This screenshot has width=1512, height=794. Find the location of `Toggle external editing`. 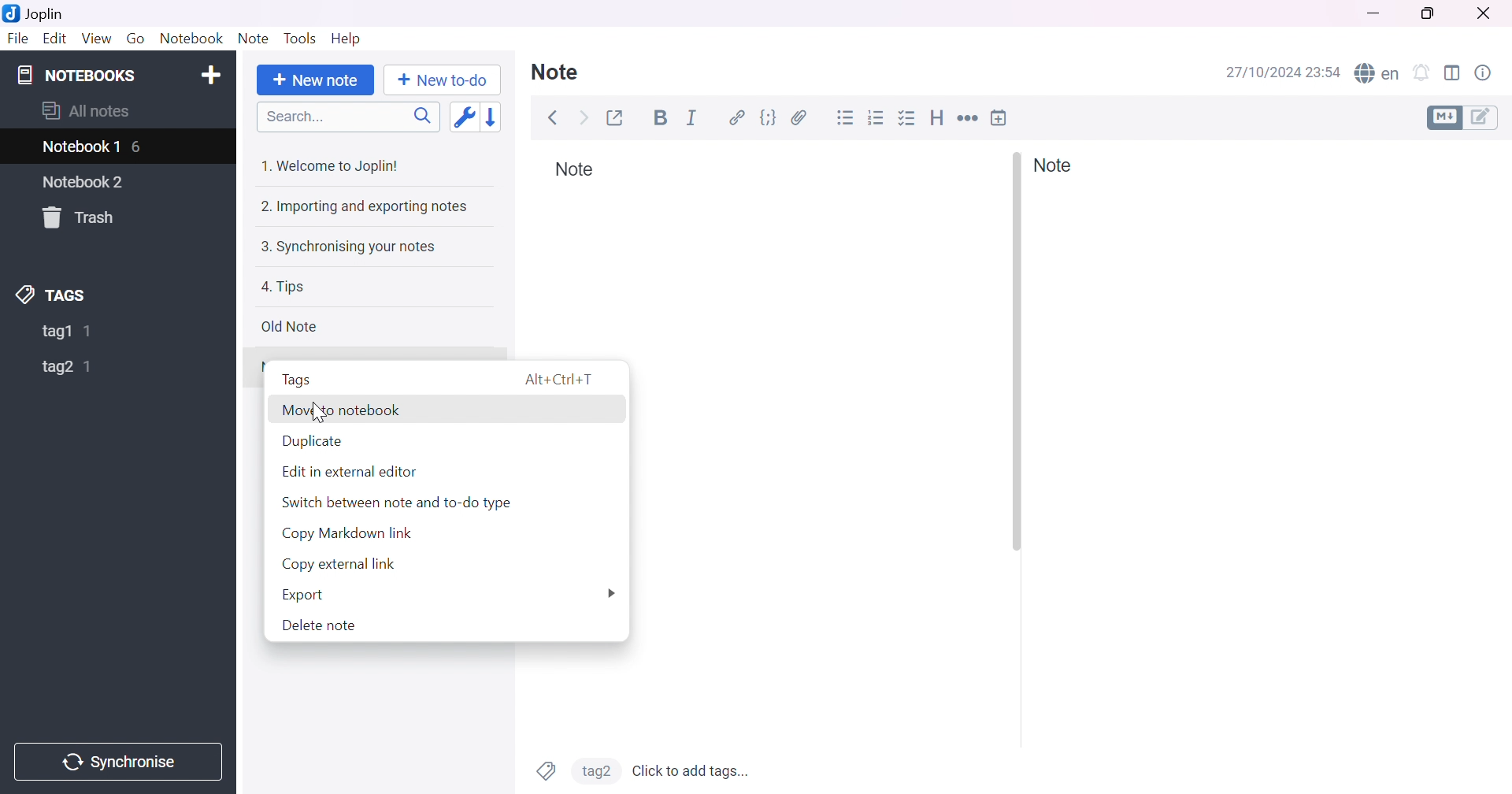

Toggle external editing is located at coordinates (613, 118).